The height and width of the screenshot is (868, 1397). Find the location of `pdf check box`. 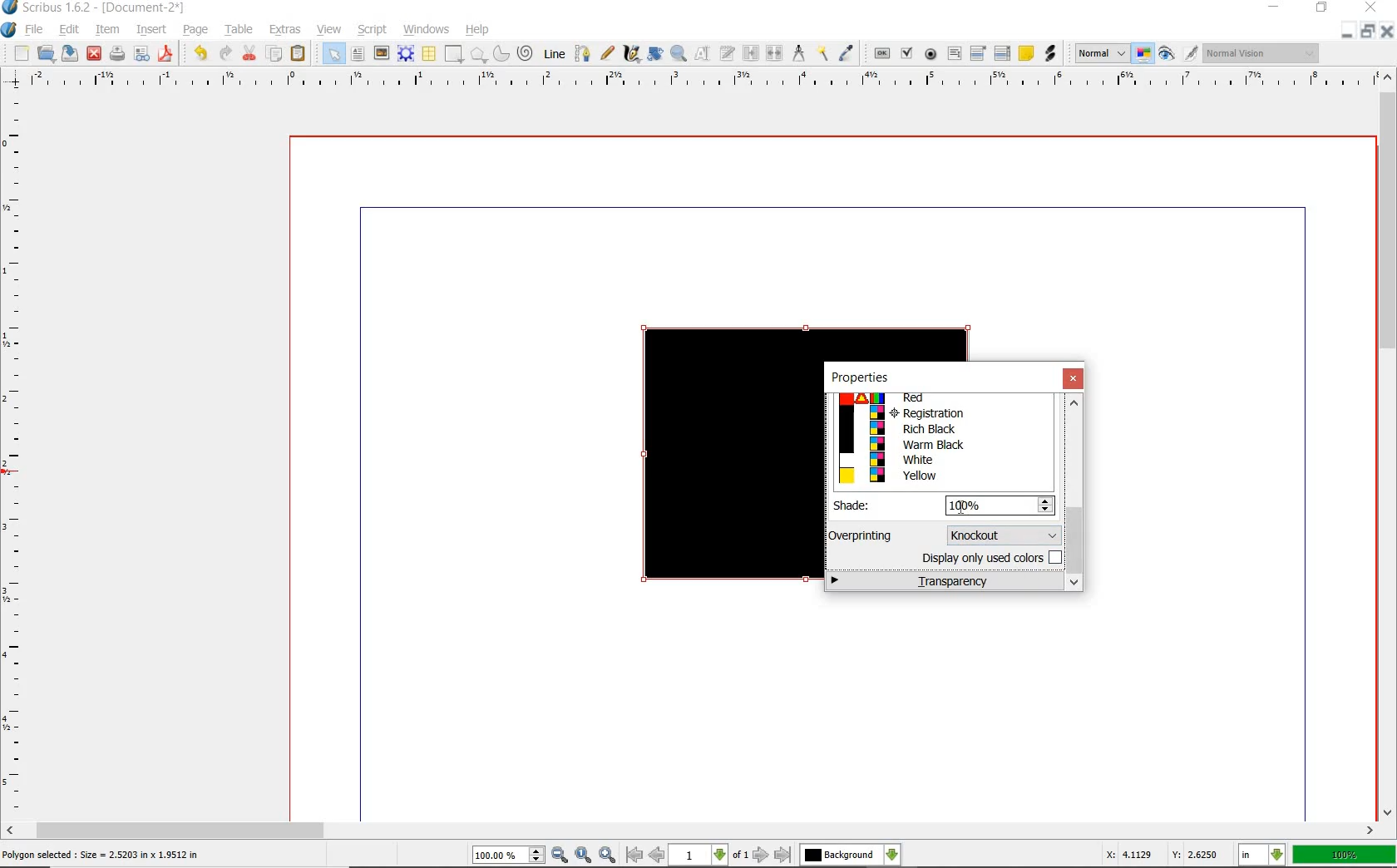

pdf check box is located at coordinates (906, 54).